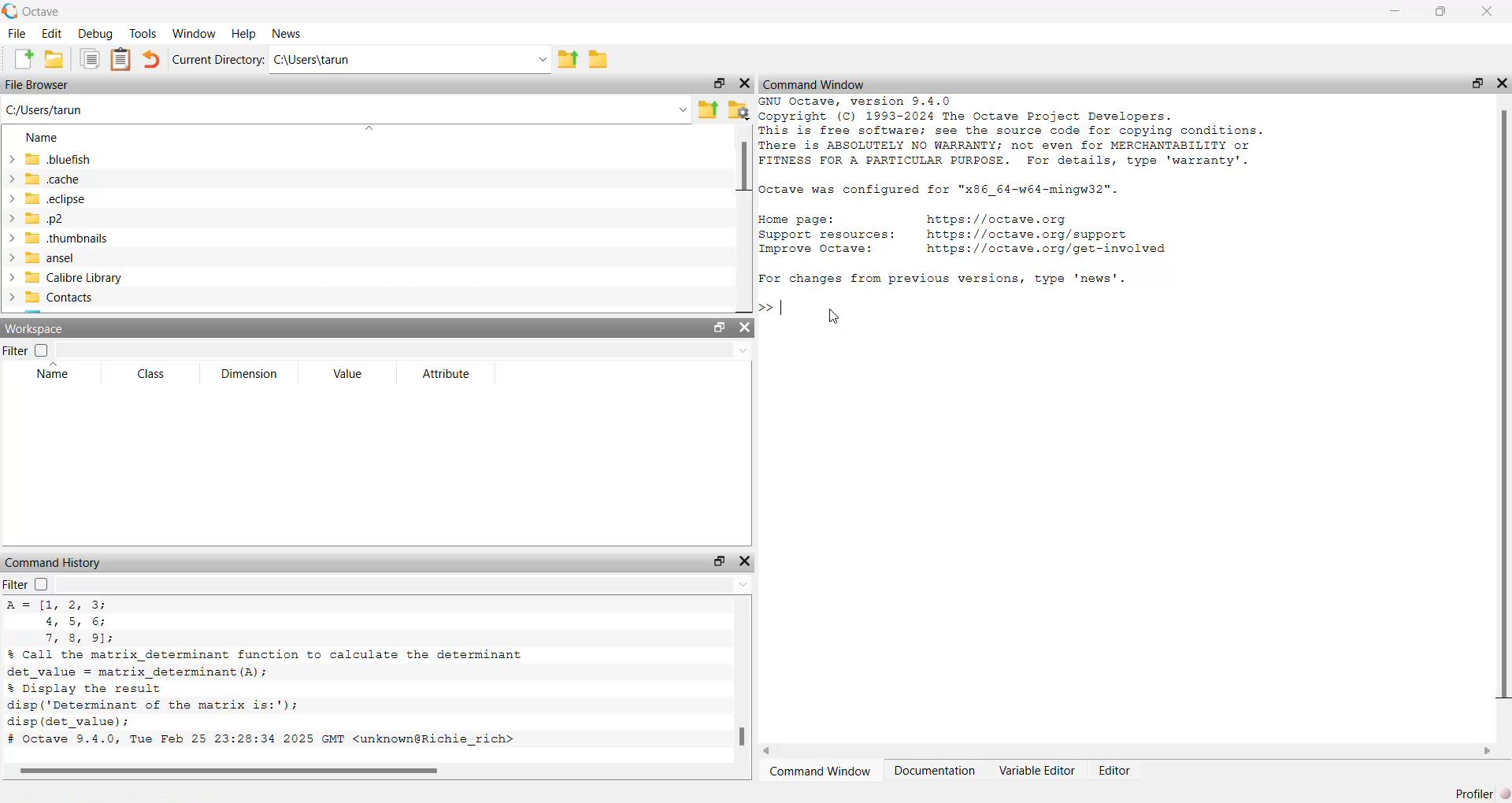 This screenshot has width=1512, height=803. What do you see at coordinates (1482, 792) in the screenshot?
I see `profiler` at bounding box center [1482, 792].